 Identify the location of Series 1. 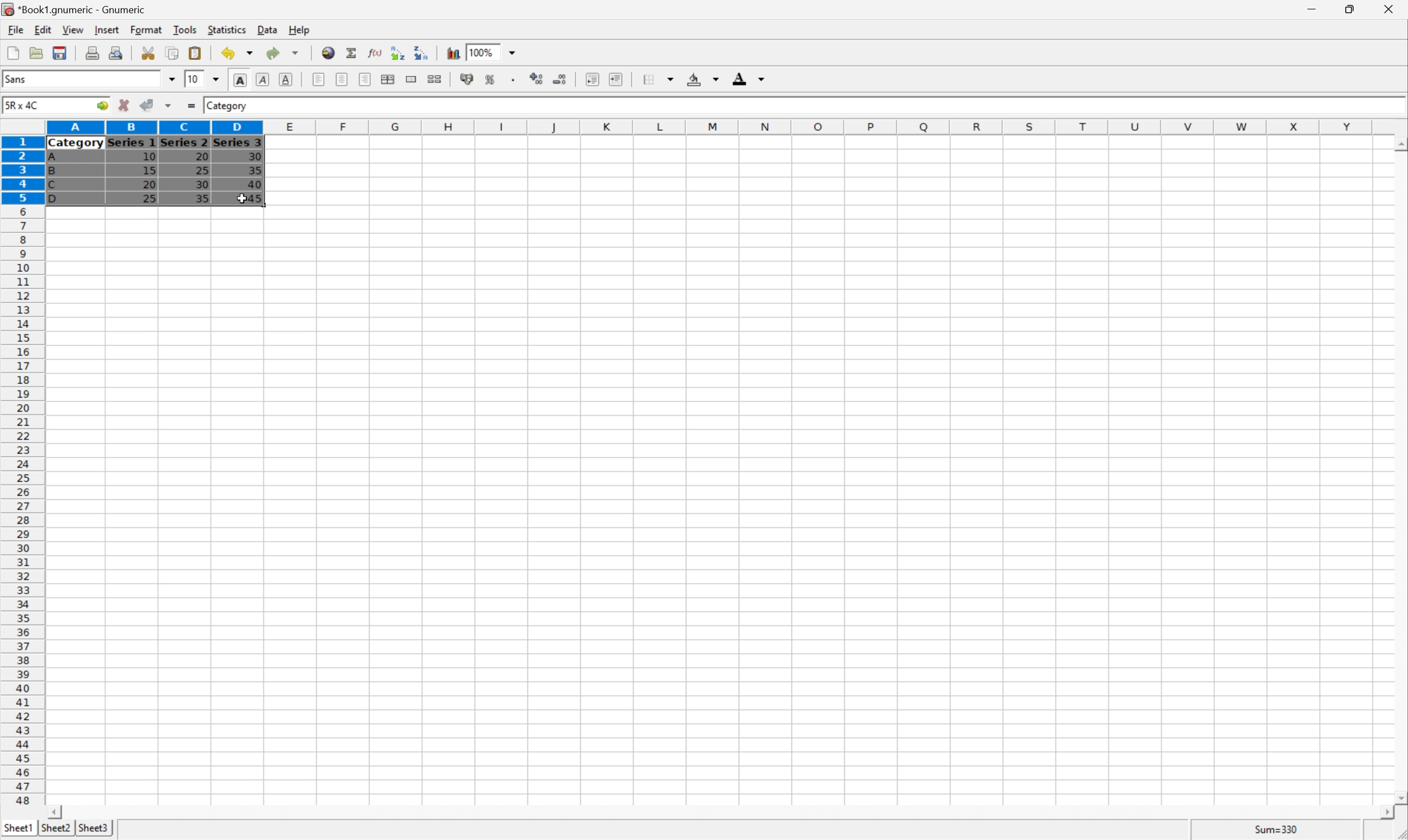
(132, 143).